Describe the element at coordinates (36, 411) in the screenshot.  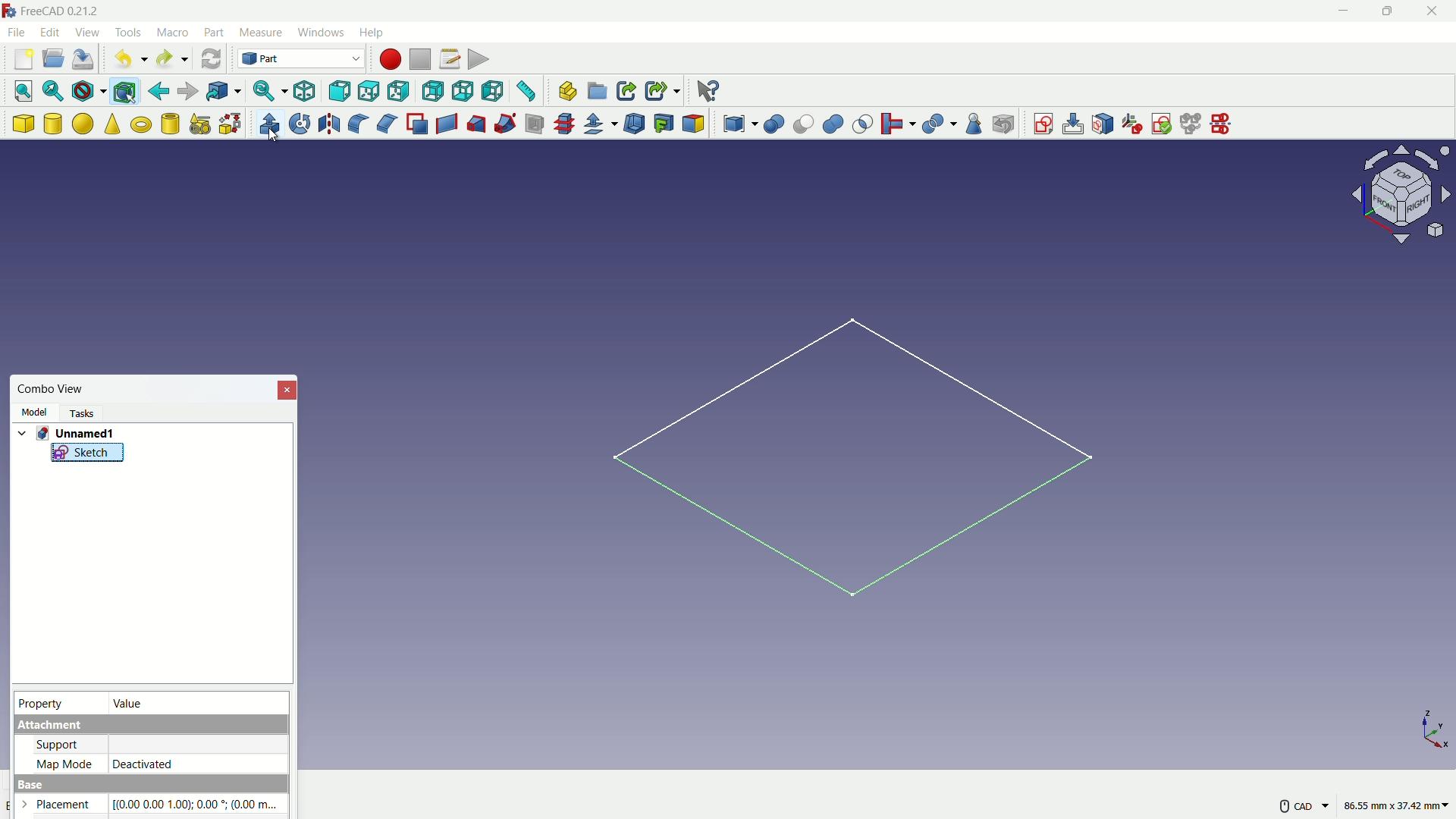
I see `Model` at that location.